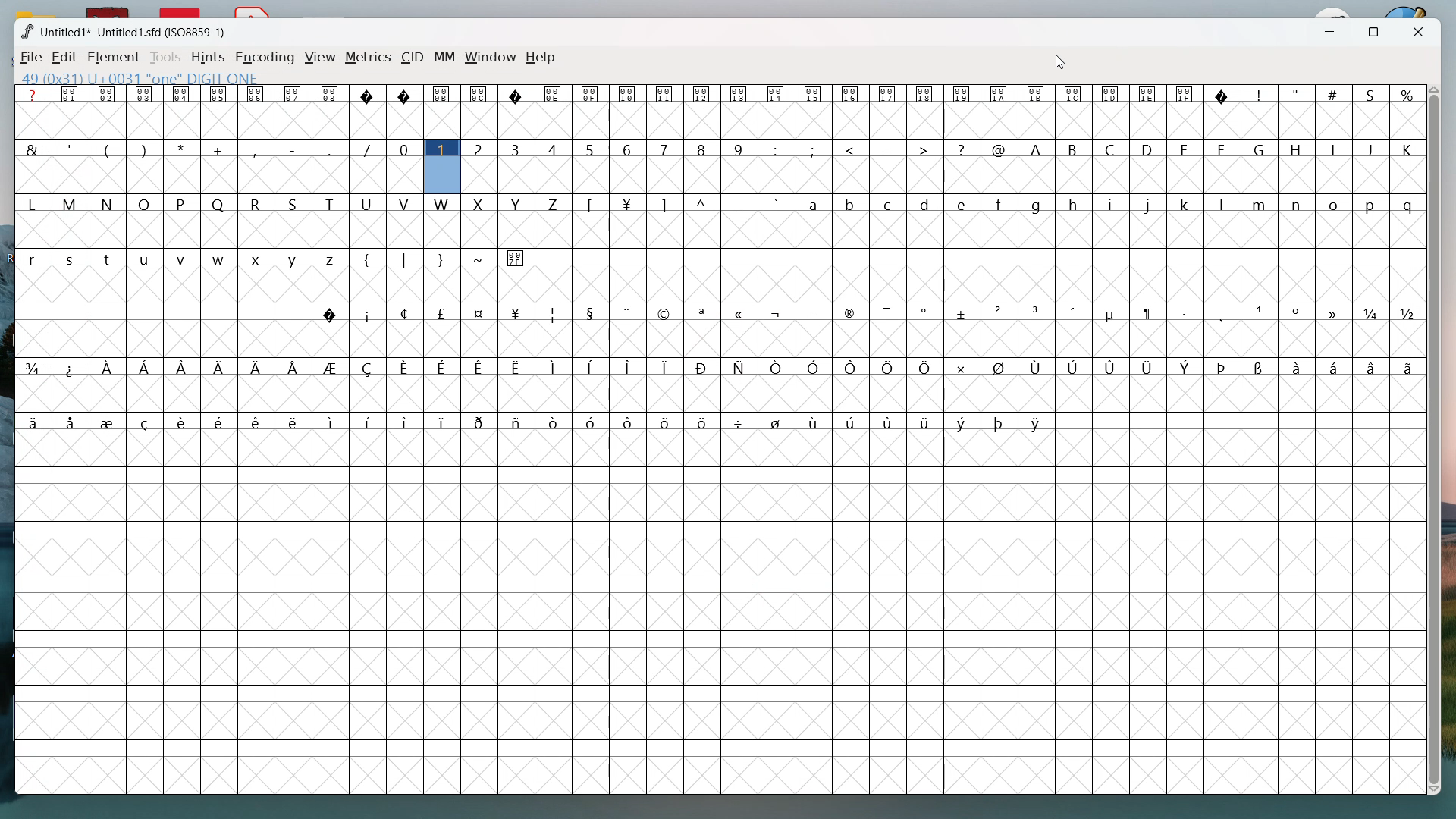 This screenshot has height=819, width=1456. Describe the element at coordinates (407, 95) in the screenshot. I see `symbol` at that location.